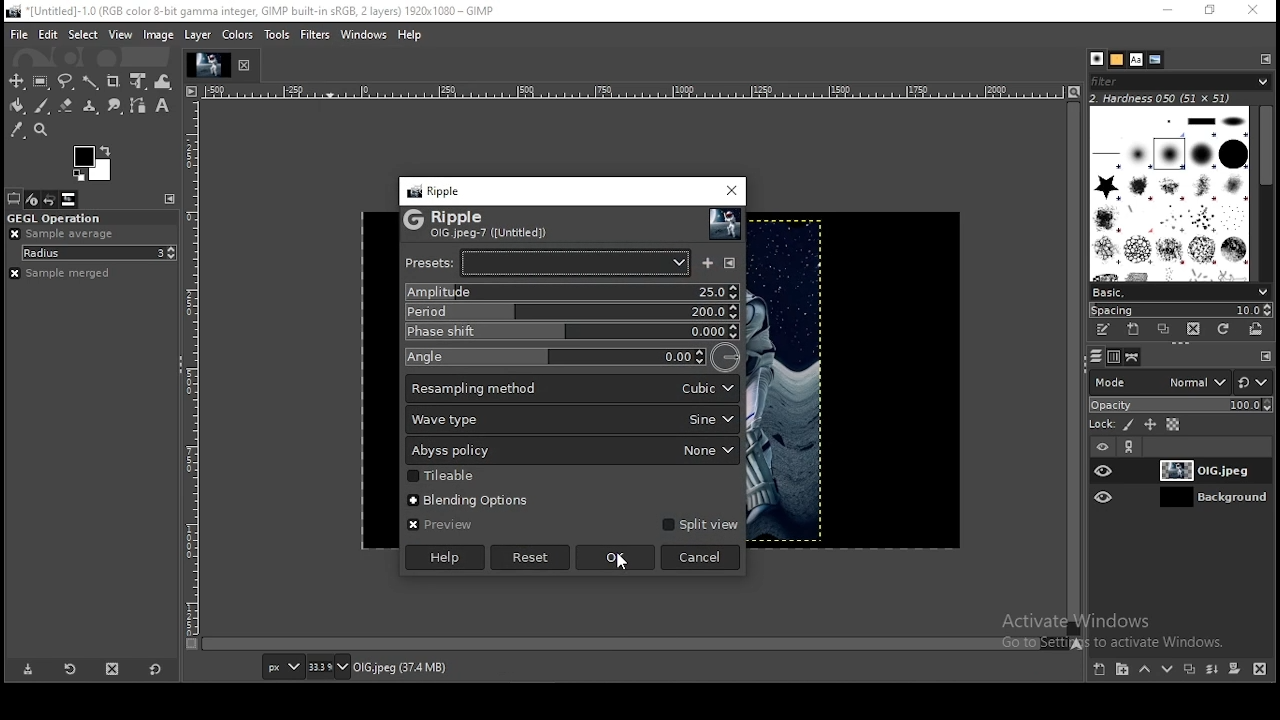 The width and height of the screenshot is (1280, 720). I want to click on layer visibility, so click(1105, 496).